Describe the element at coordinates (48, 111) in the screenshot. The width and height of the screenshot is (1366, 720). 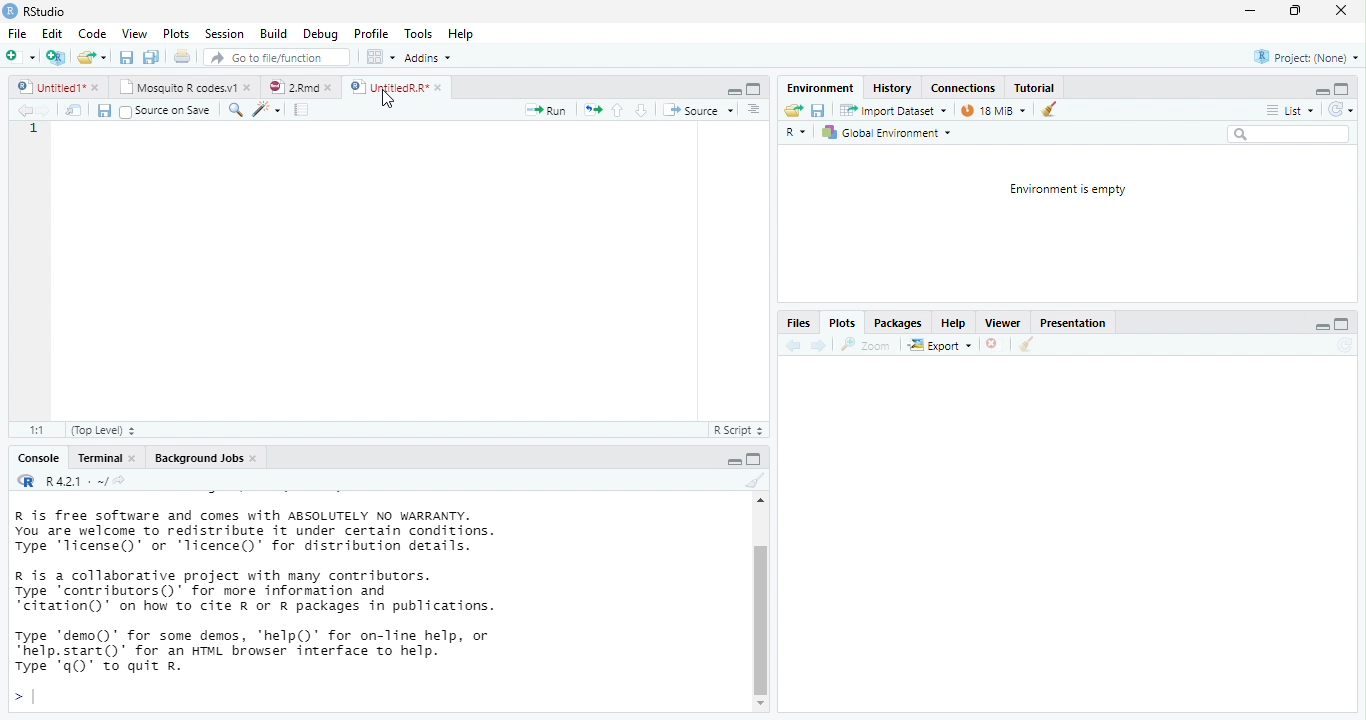
I see `next` at that location.